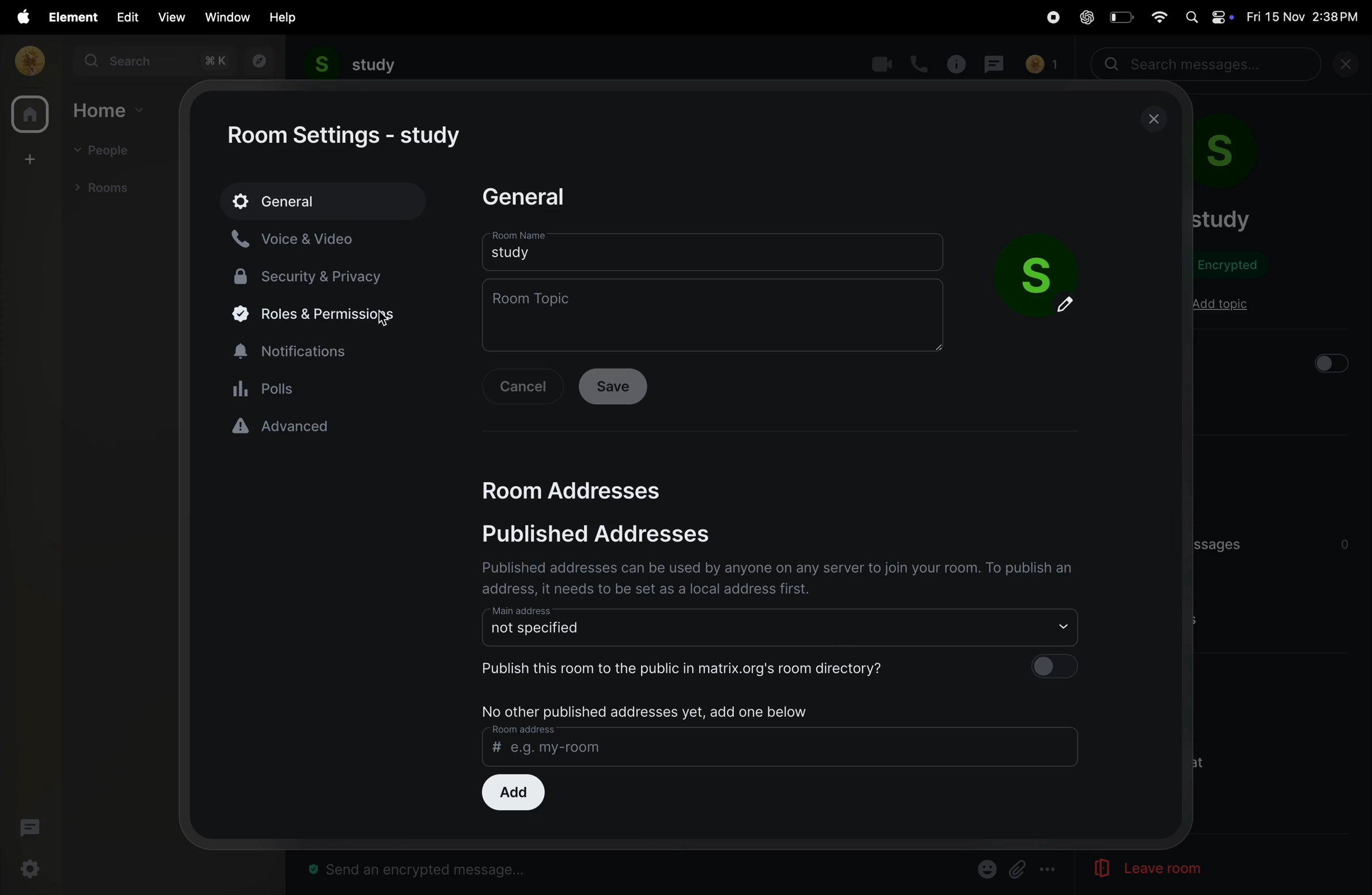 The width and height of the screenshot is (1372, 895). Describe the element at coordinates (620, 536) in the screenshot. I see `published addresses` at that location.